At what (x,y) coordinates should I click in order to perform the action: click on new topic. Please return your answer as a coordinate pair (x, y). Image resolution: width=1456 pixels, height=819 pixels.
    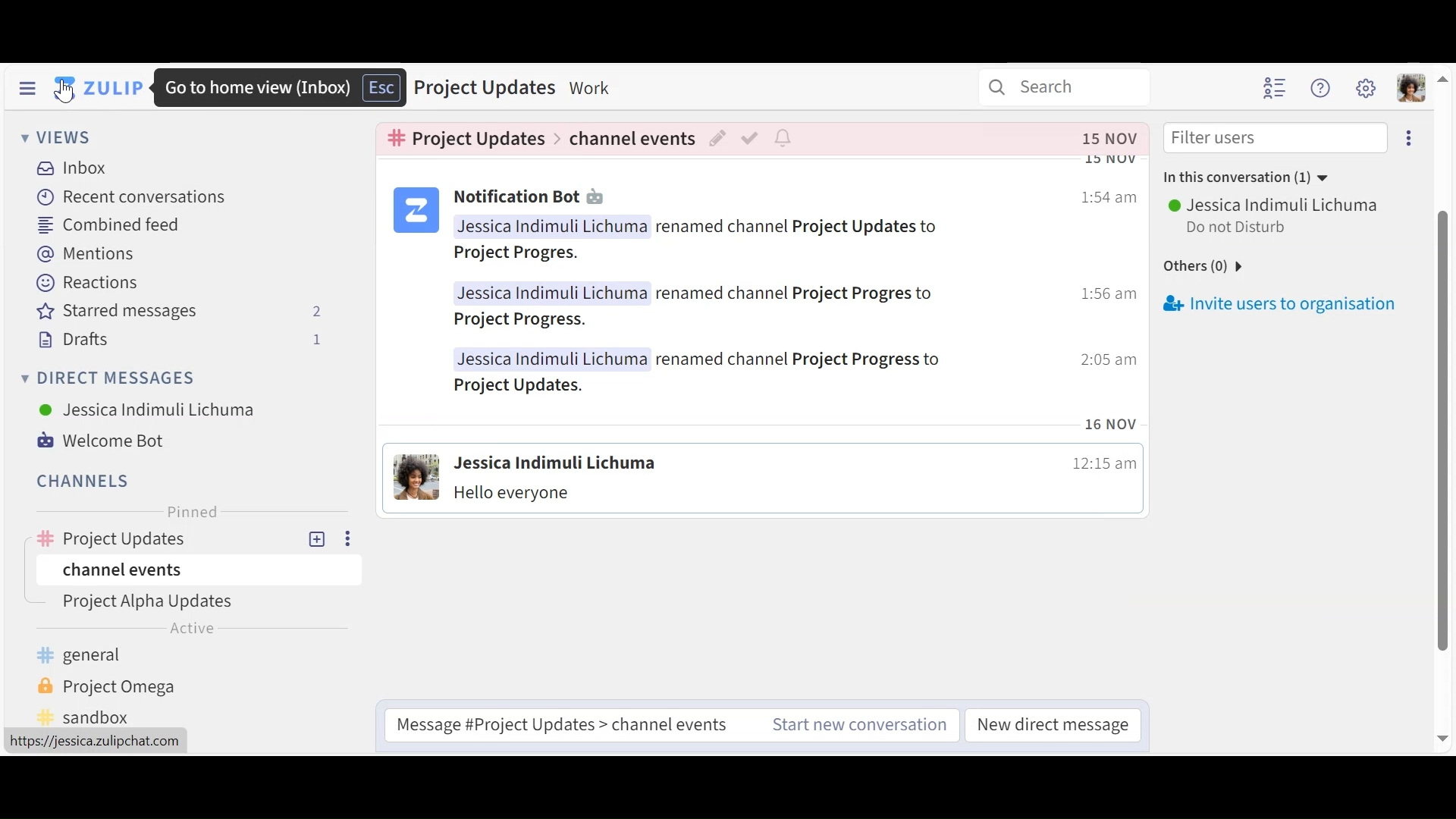
    Looking at the image, I should click on (315, 538).